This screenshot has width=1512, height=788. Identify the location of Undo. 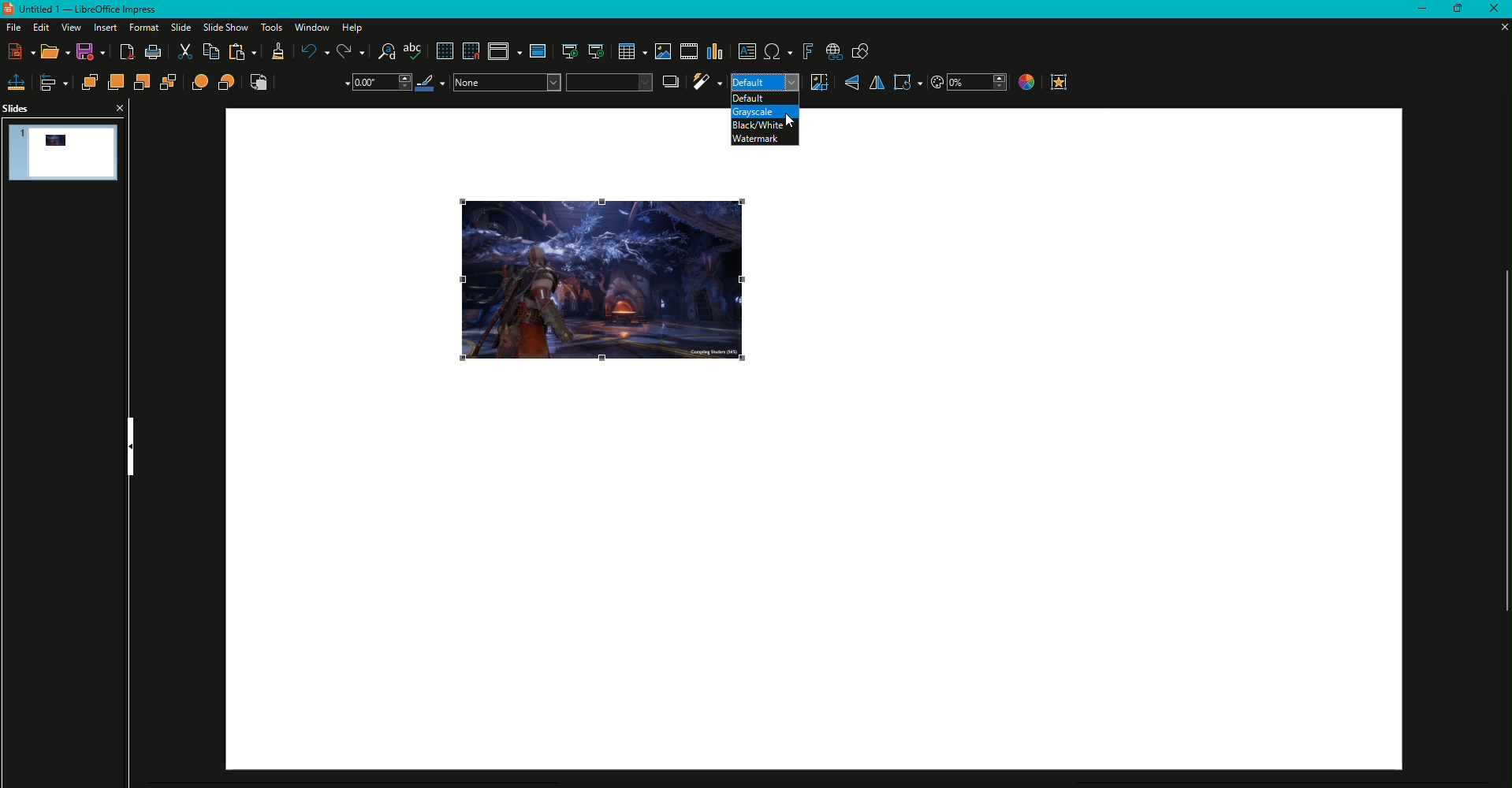
(313, 51).